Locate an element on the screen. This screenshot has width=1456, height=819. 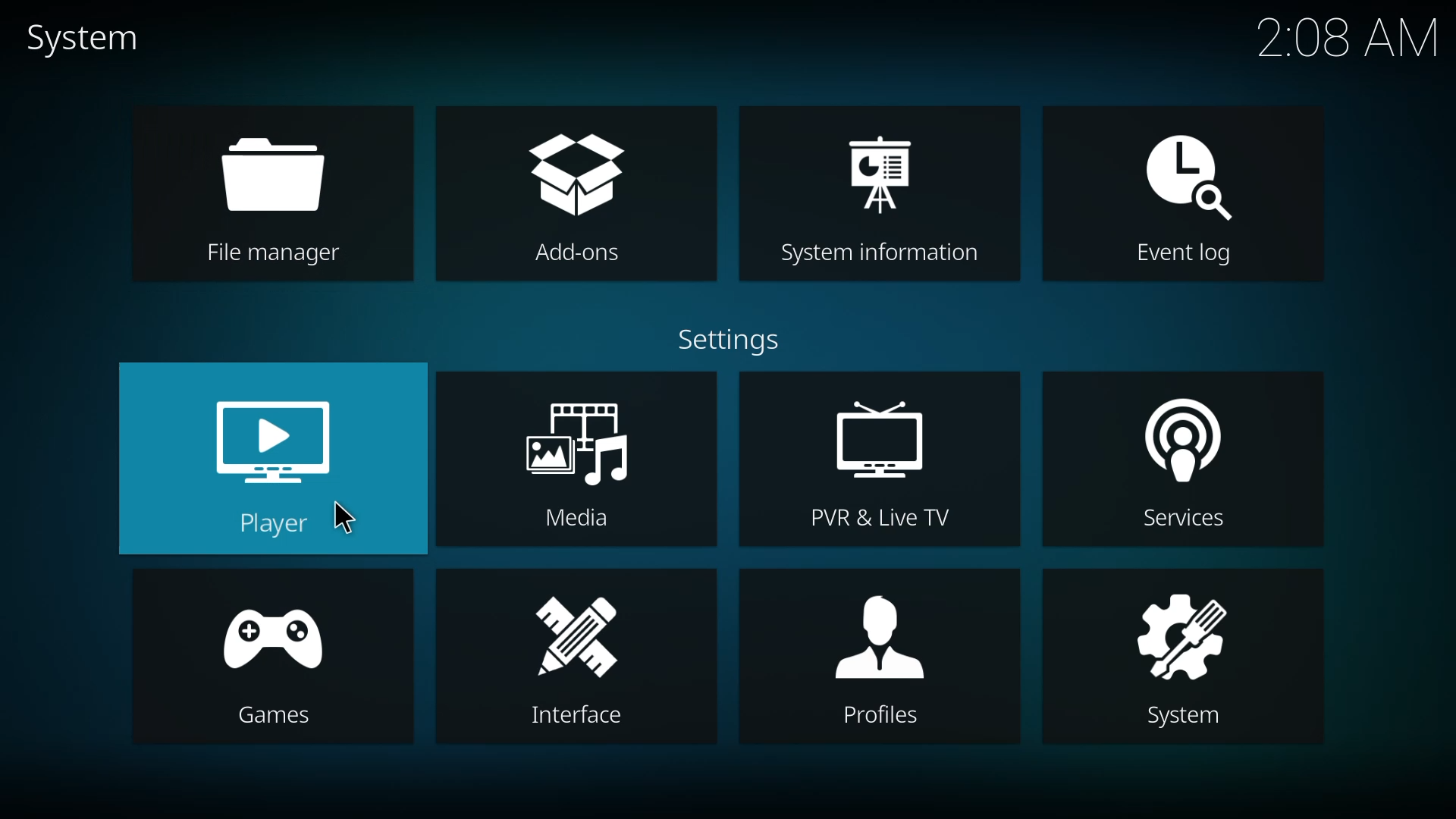
pvr & live tv is located at coordinates (885, 462).